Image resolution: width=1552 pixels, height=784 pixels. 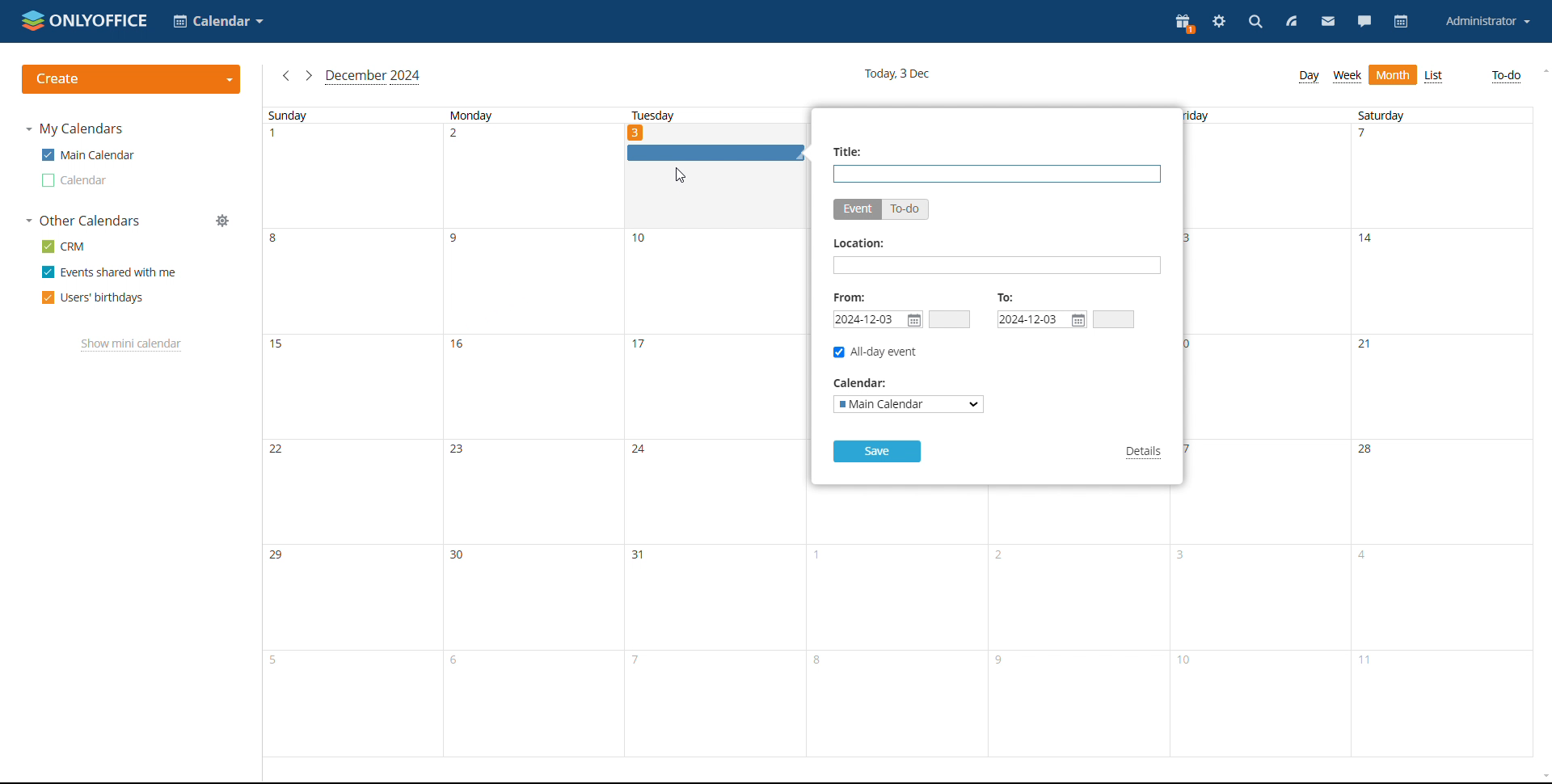 I want to click on tuesday, so click(x=710, y=475).